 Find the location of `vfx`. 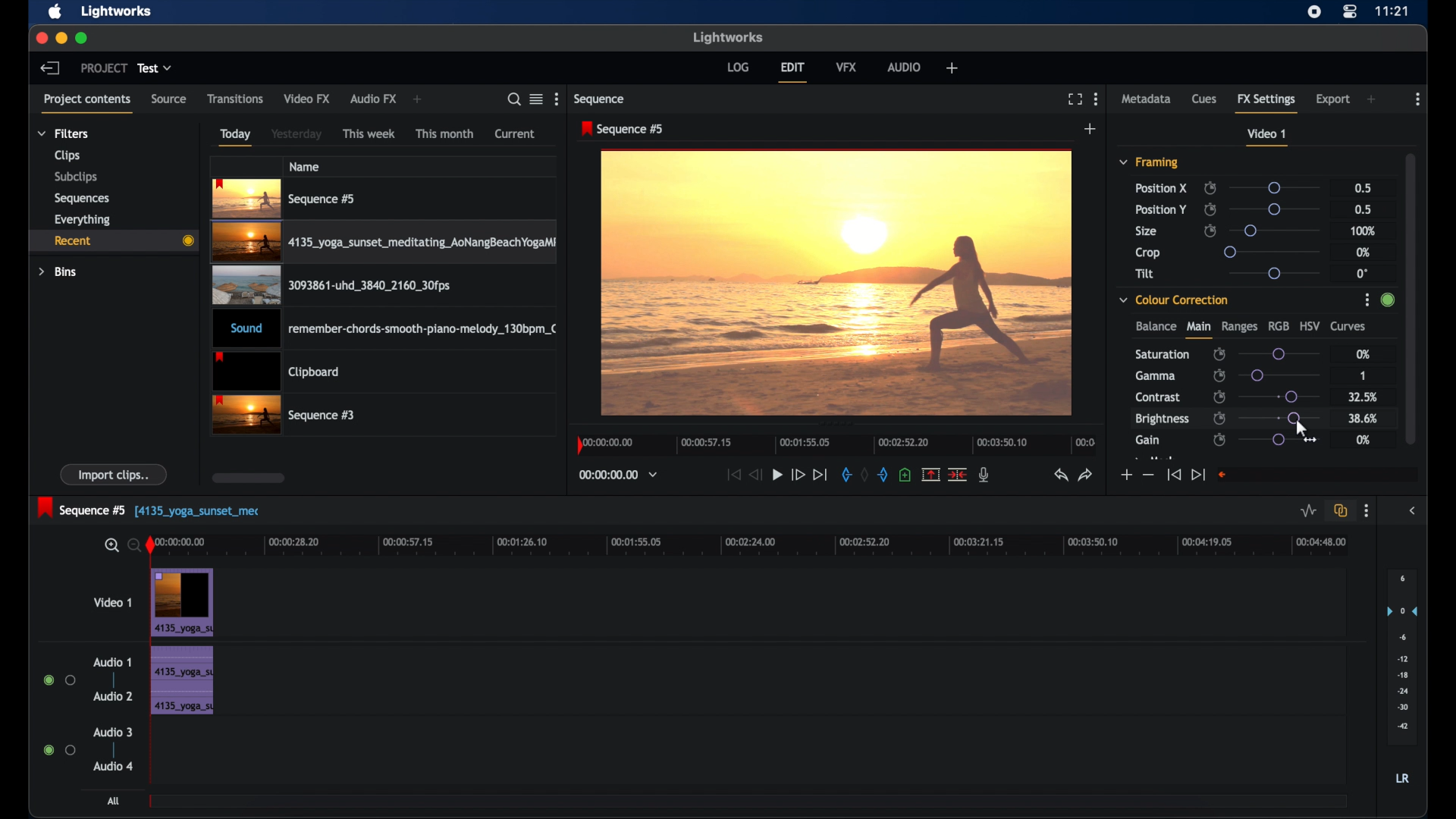

vfx is located at coordinates (846, 66).